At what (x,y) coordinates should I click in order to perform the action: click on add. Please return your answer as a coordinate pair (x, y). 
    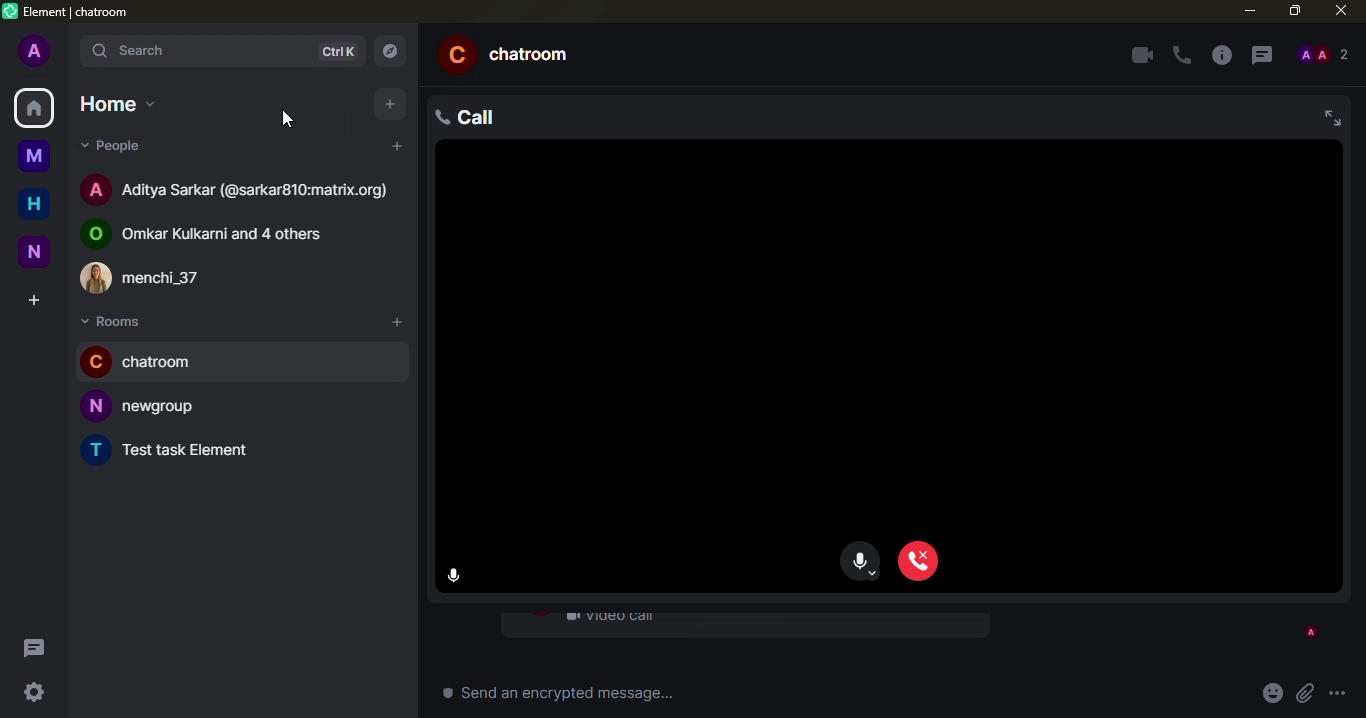
    Looking at the image, I should click on (390, 146).